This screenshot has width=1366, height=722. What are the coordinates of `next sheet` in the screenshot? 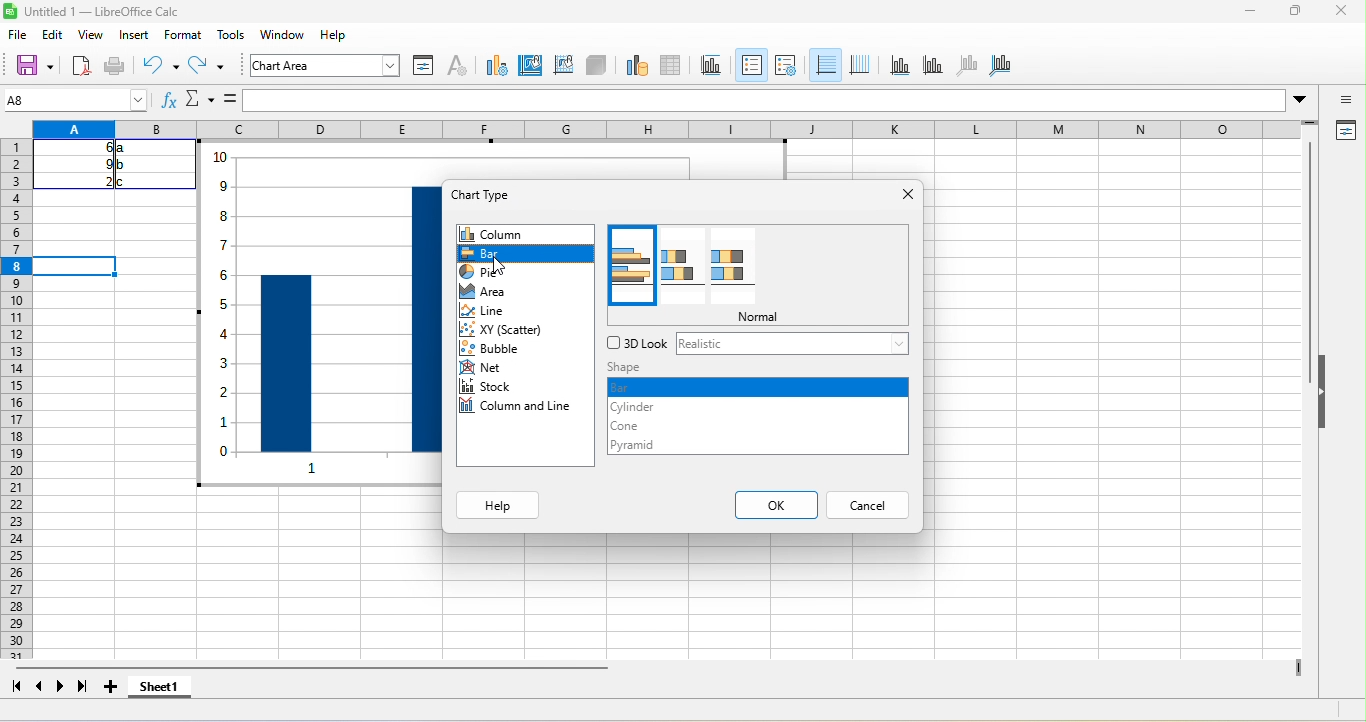 It's located at (59, 688).